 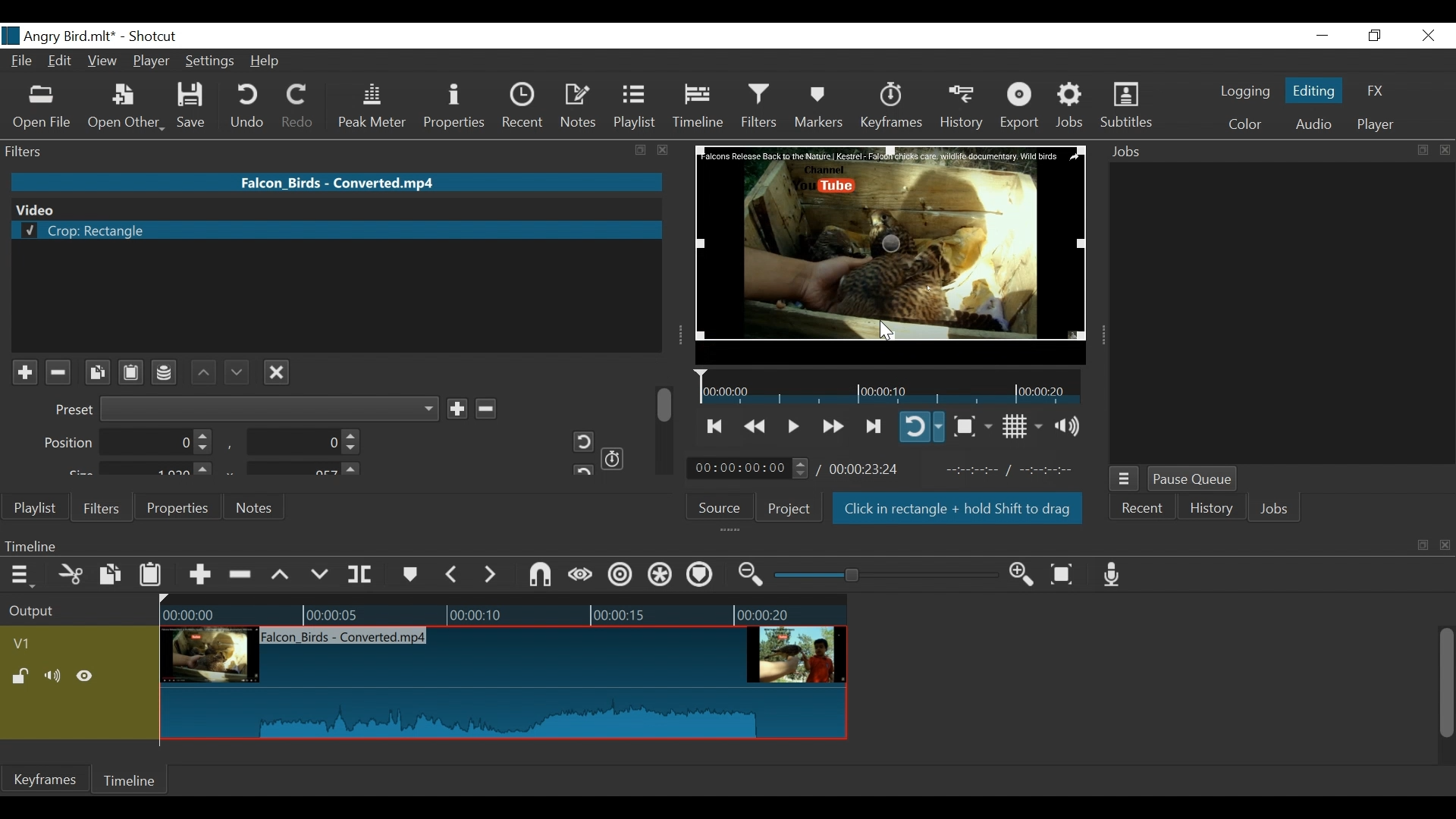 What do you see at coordinates (133, 371) in the screenshot?
I see `Clipboard` at bounding box center [133, 371].